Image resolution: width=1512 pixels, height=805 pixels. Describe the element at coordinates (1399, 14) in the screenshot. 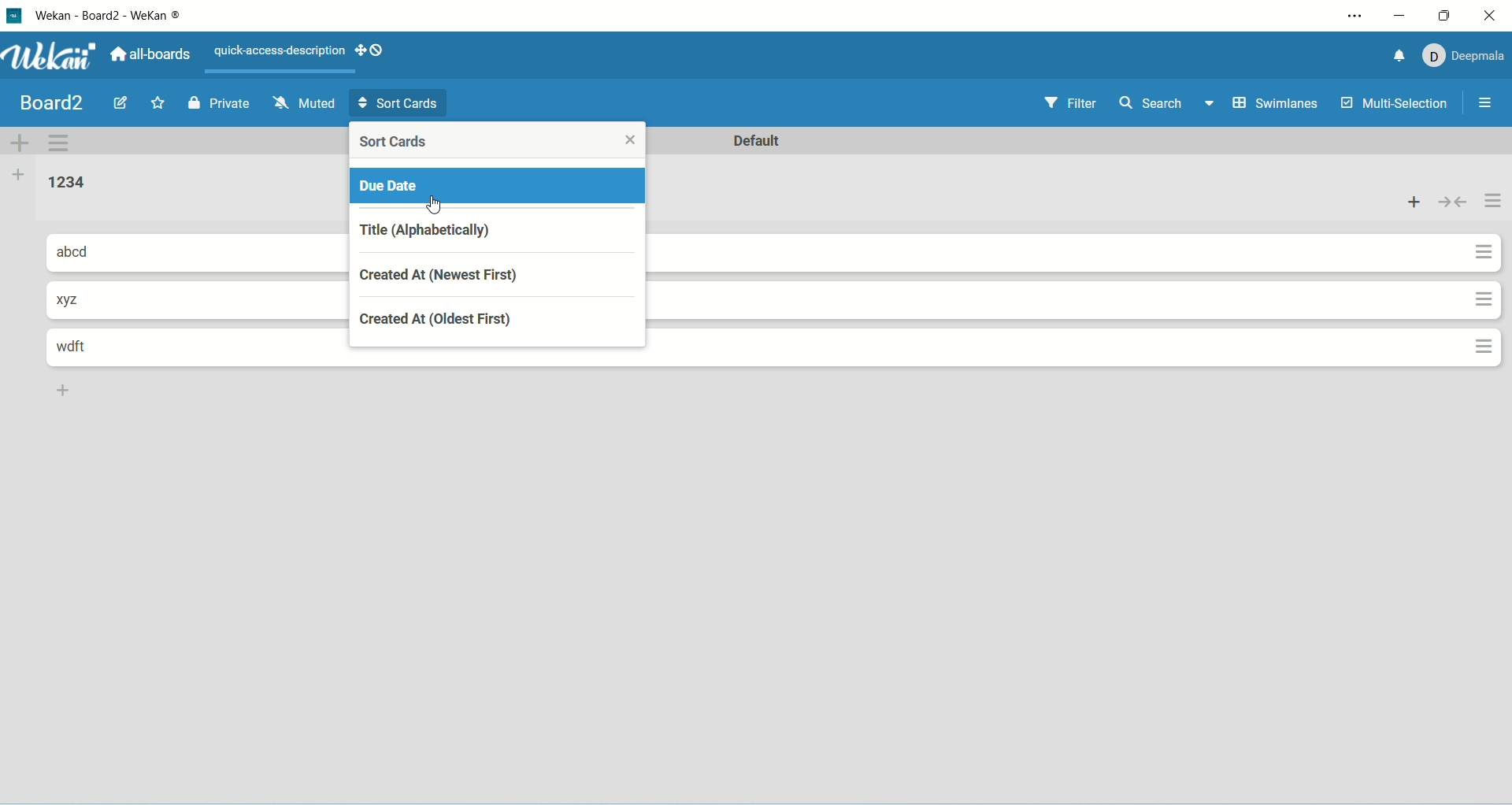

I see `minimize` at that location.